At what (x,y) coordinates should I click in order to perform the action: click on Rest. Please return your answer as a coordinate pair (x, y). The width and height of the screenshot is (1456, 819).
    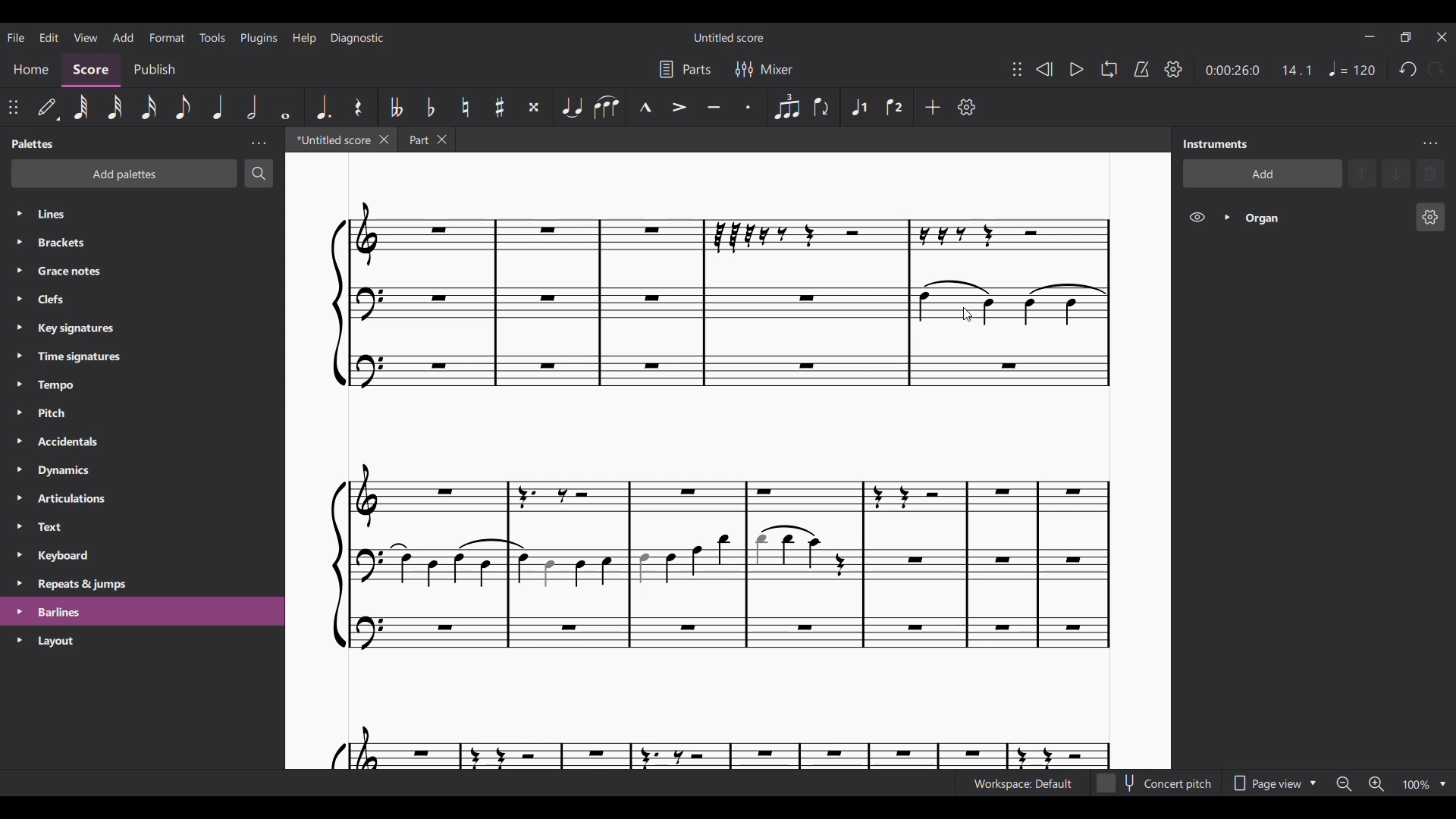
    Looking at the image, I should click on (358, 106).